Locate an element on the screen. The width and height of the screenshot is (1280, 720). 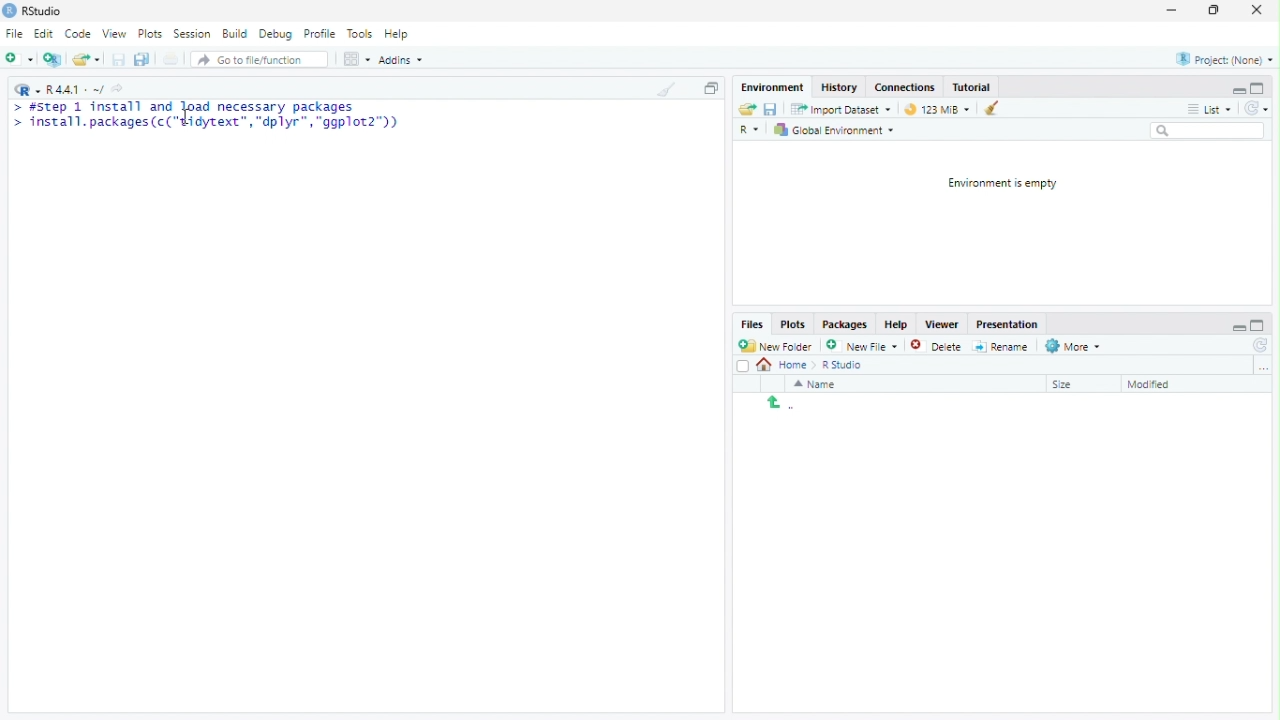
2 tia]. packages CoC" Tl dytent sqnlye nodes
> install. packages (c("didytext", "dplyr", “ggplot2")) is located at coordinates (209, 118).